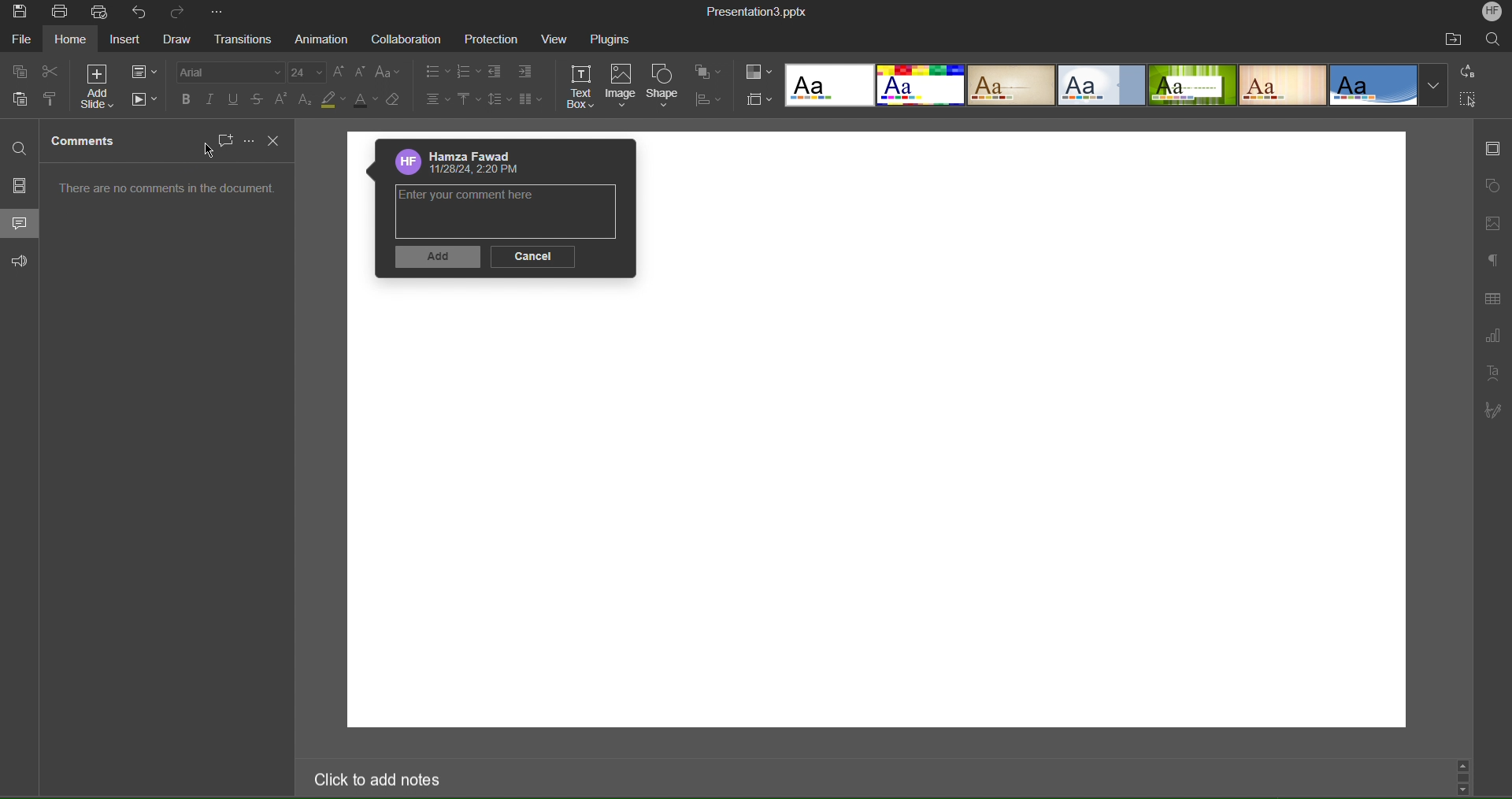 Image resolution: width=1512 pixels, height=799 pixels. Describe the element at coordinates (532, 101) in the screenshot. I see `Columns` at that location.